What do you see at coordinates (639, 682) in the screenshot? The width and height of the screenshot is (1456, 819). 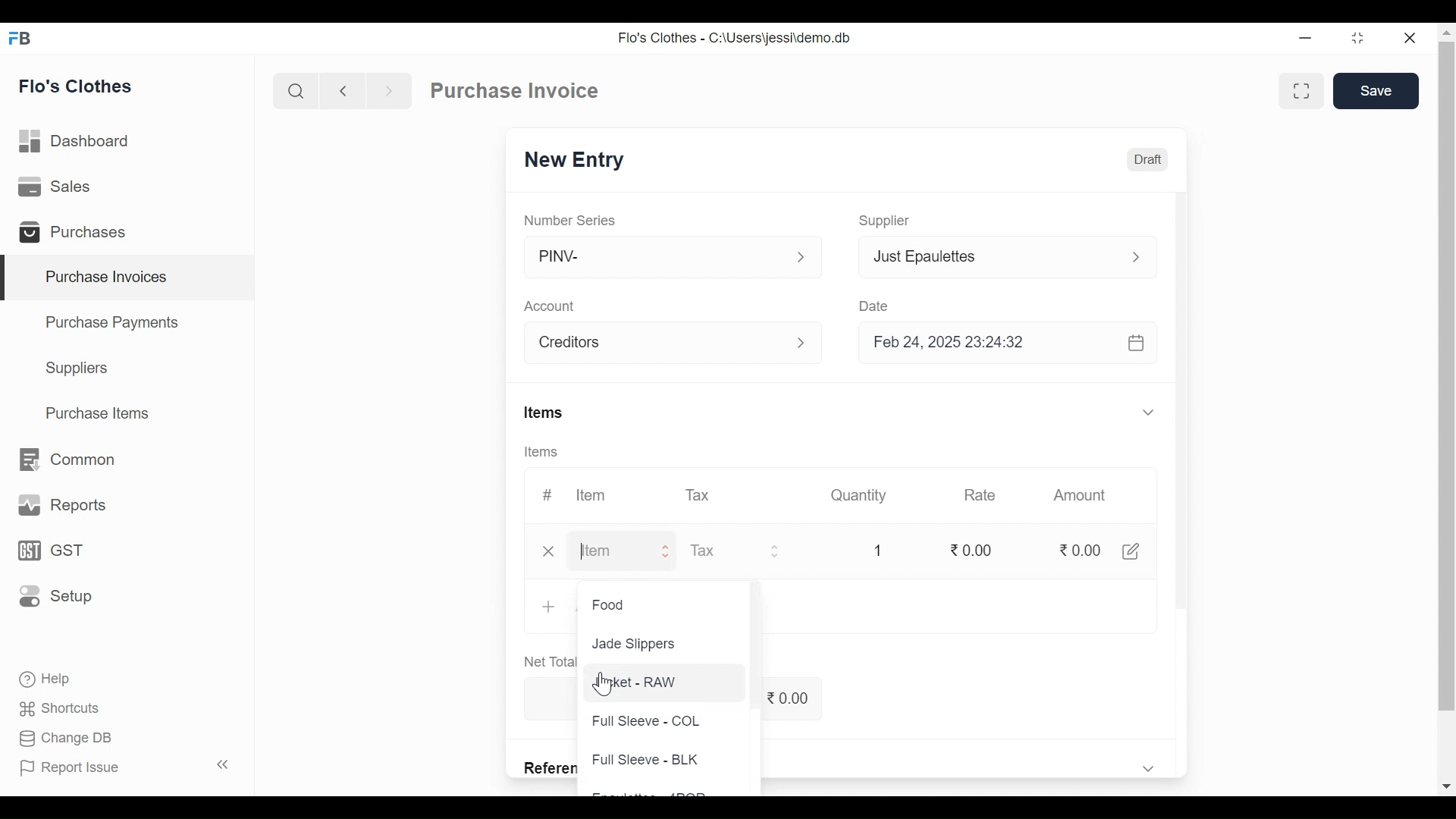 I see `Jacket - RAW` at bounding box center [639, 682].